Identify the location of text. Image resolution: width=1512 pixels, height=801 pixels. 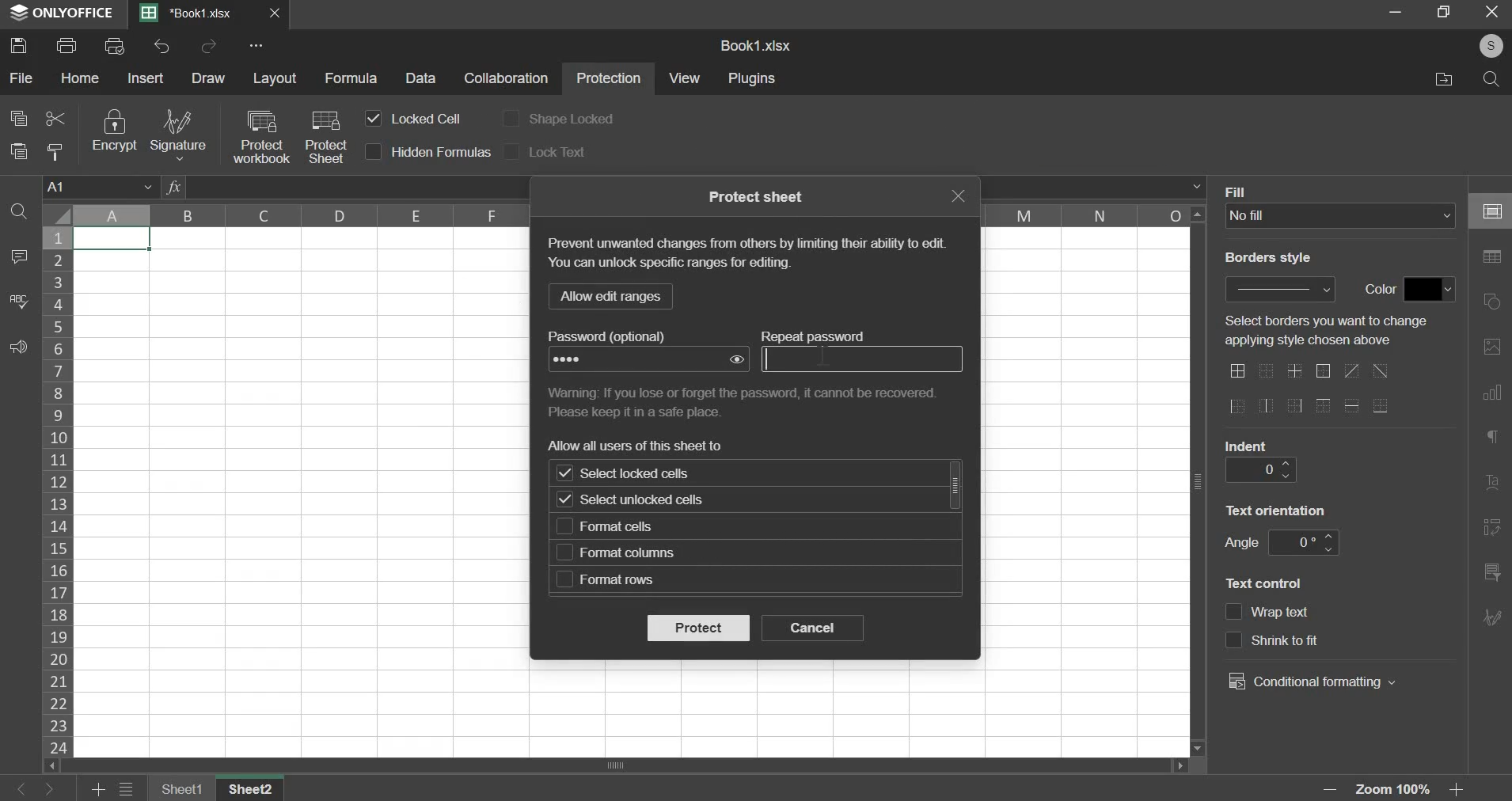
(817, 336).